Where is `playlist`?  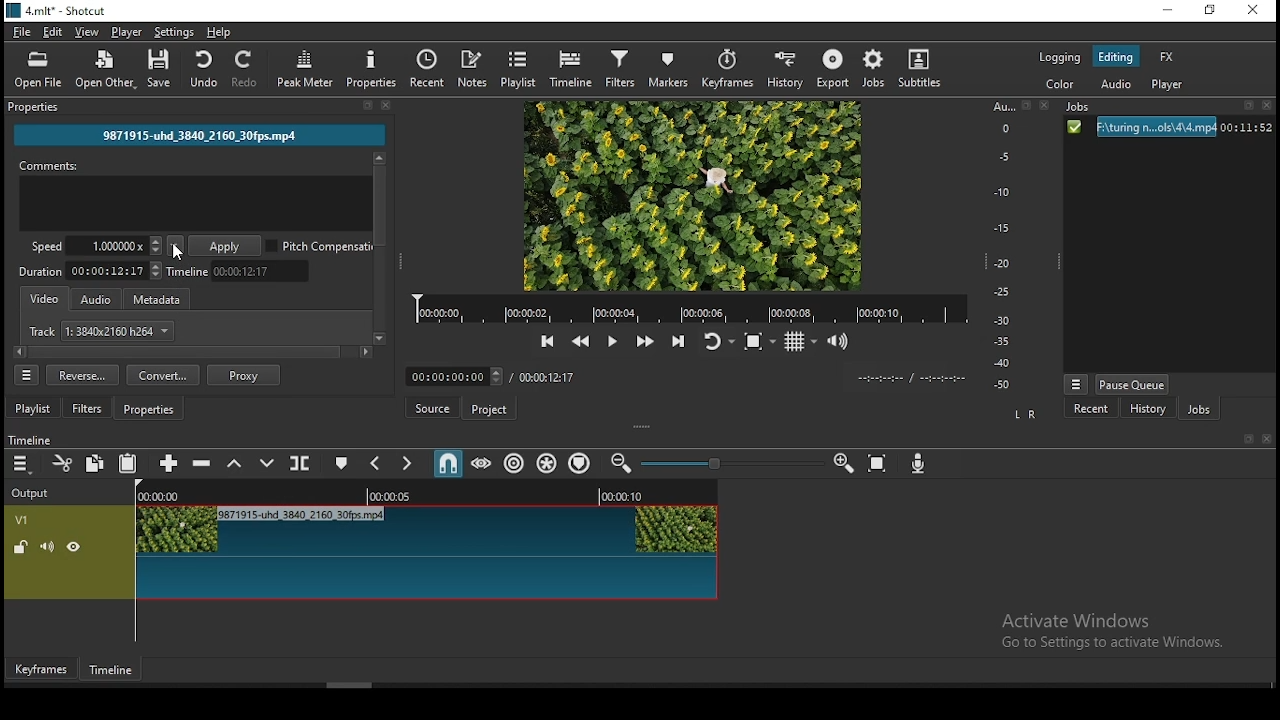 playlist is located at coordinates (517, 69).